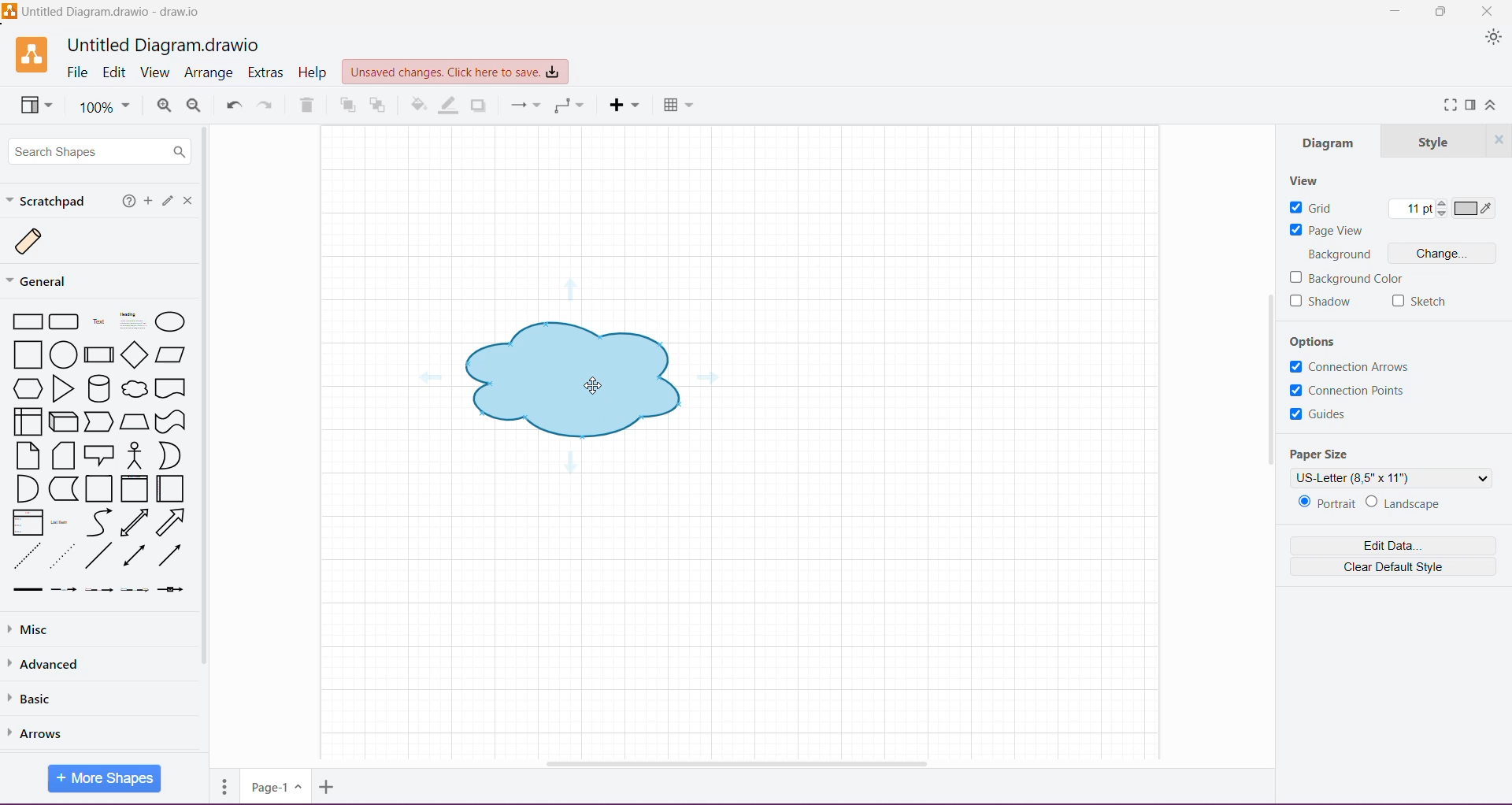  I want to click on Expand/Collapse, so click(1492, 107).